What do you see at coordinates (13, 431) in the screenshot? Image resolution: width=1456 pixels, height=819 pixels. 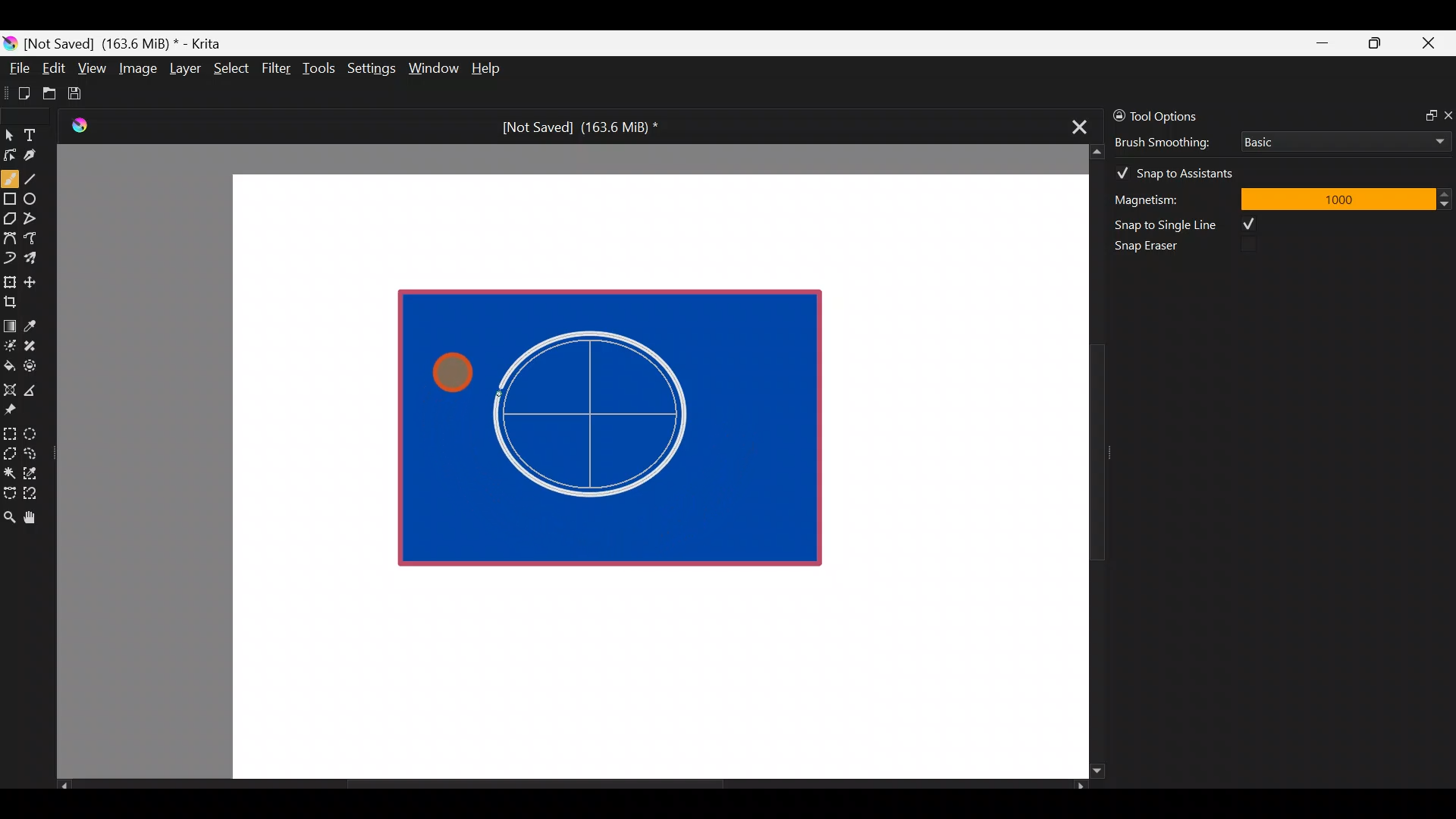 I see `Rectangular selection tool` at bounding box center [13, 431].